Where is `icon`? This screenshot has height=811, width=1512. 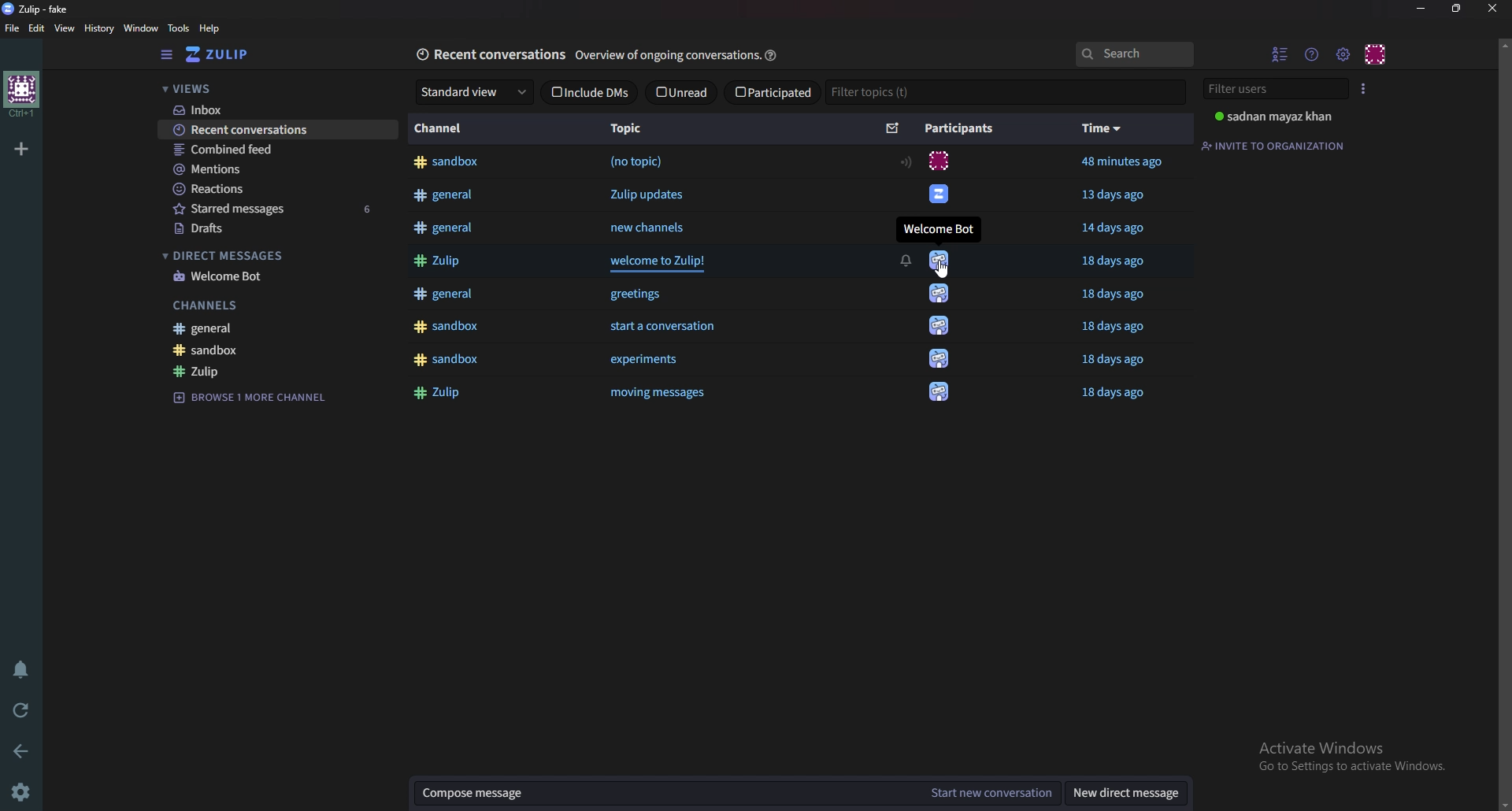
icon is located at coordinates (936, 196).